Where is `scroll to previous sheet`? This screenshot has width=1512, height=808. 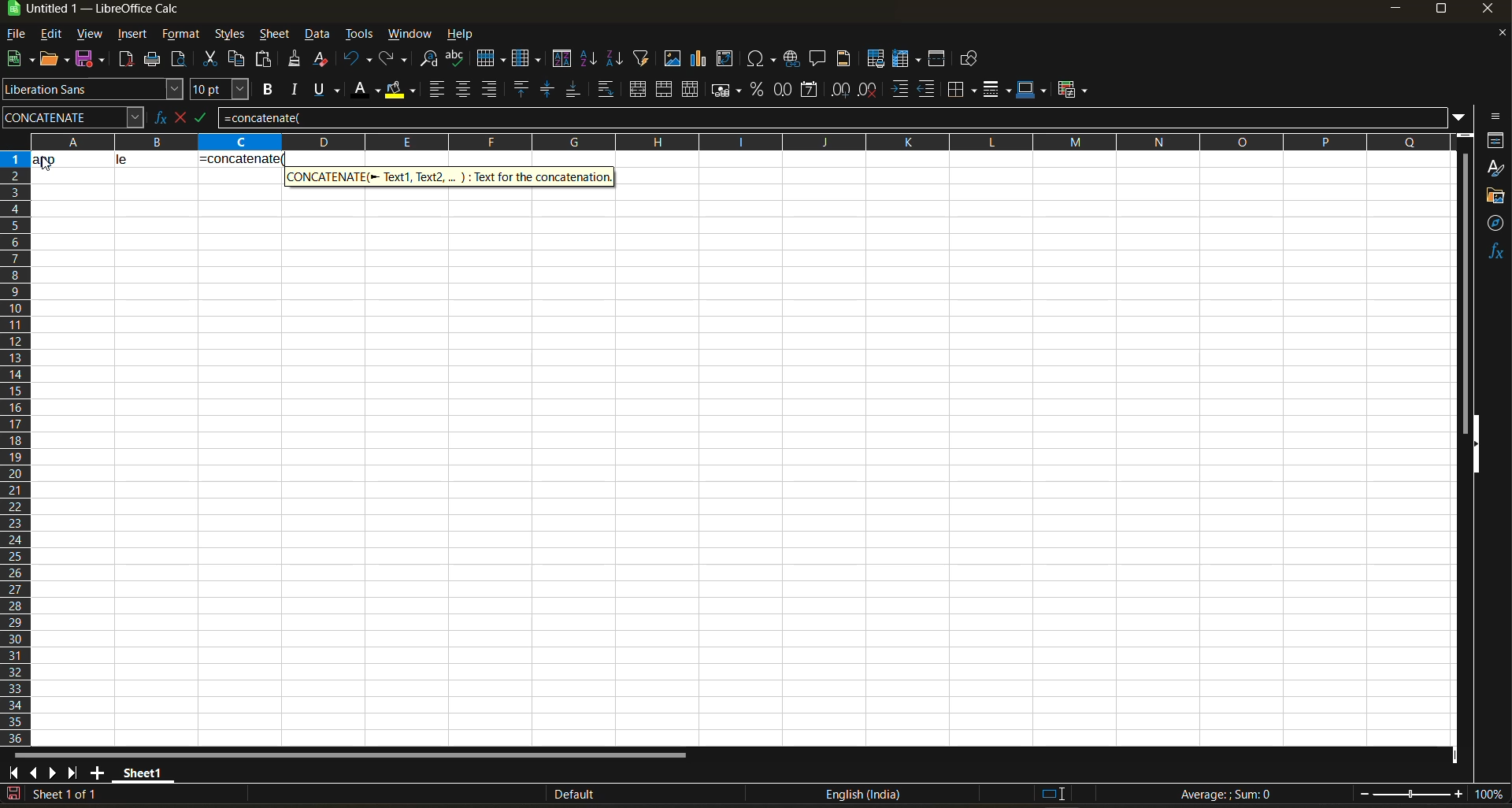 scroll to previous sheet is located at coordinates (34, 772).